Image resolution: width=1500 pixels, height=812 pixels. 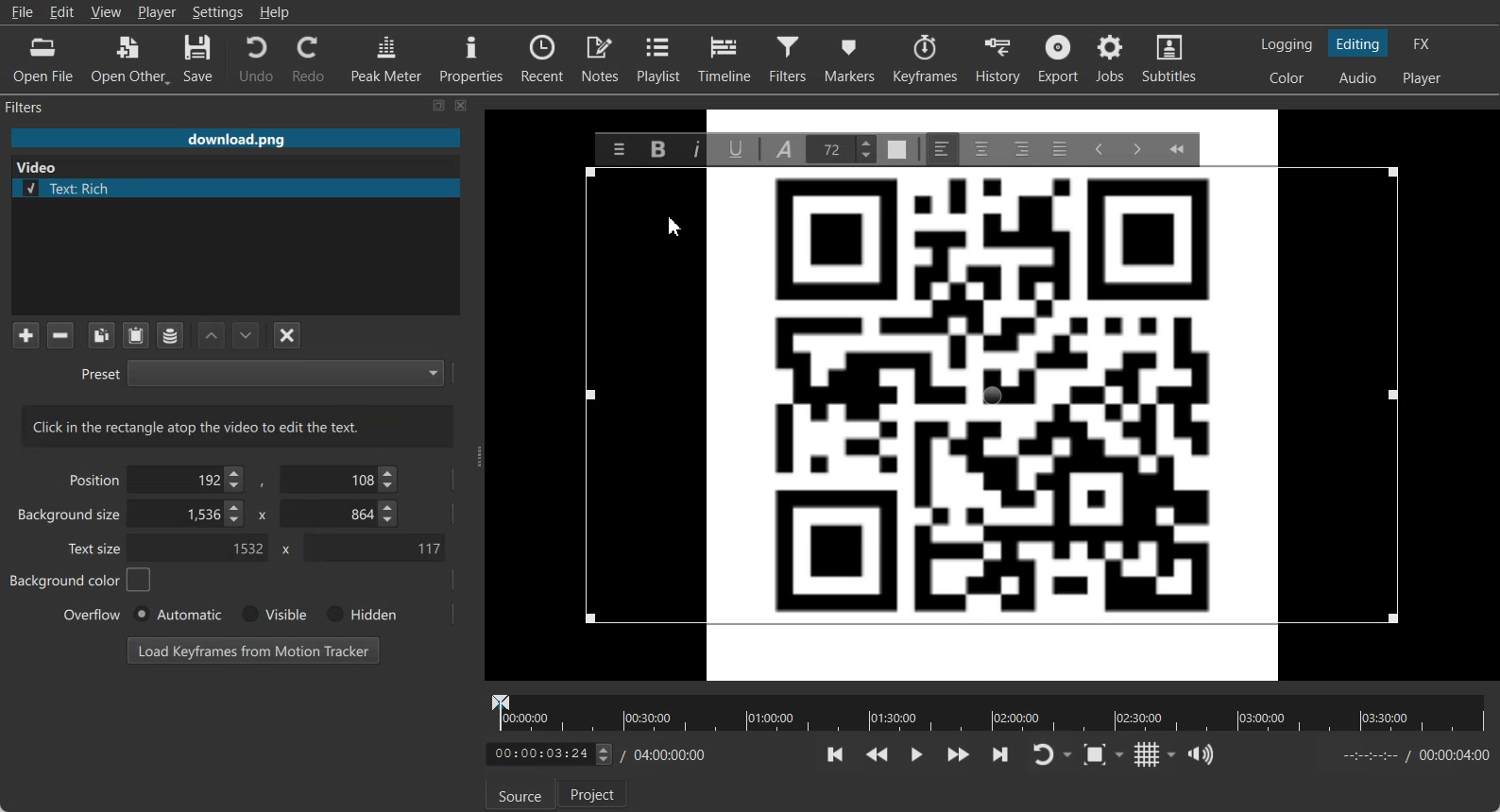 I want to click on Player, so click(x=158, y=12).